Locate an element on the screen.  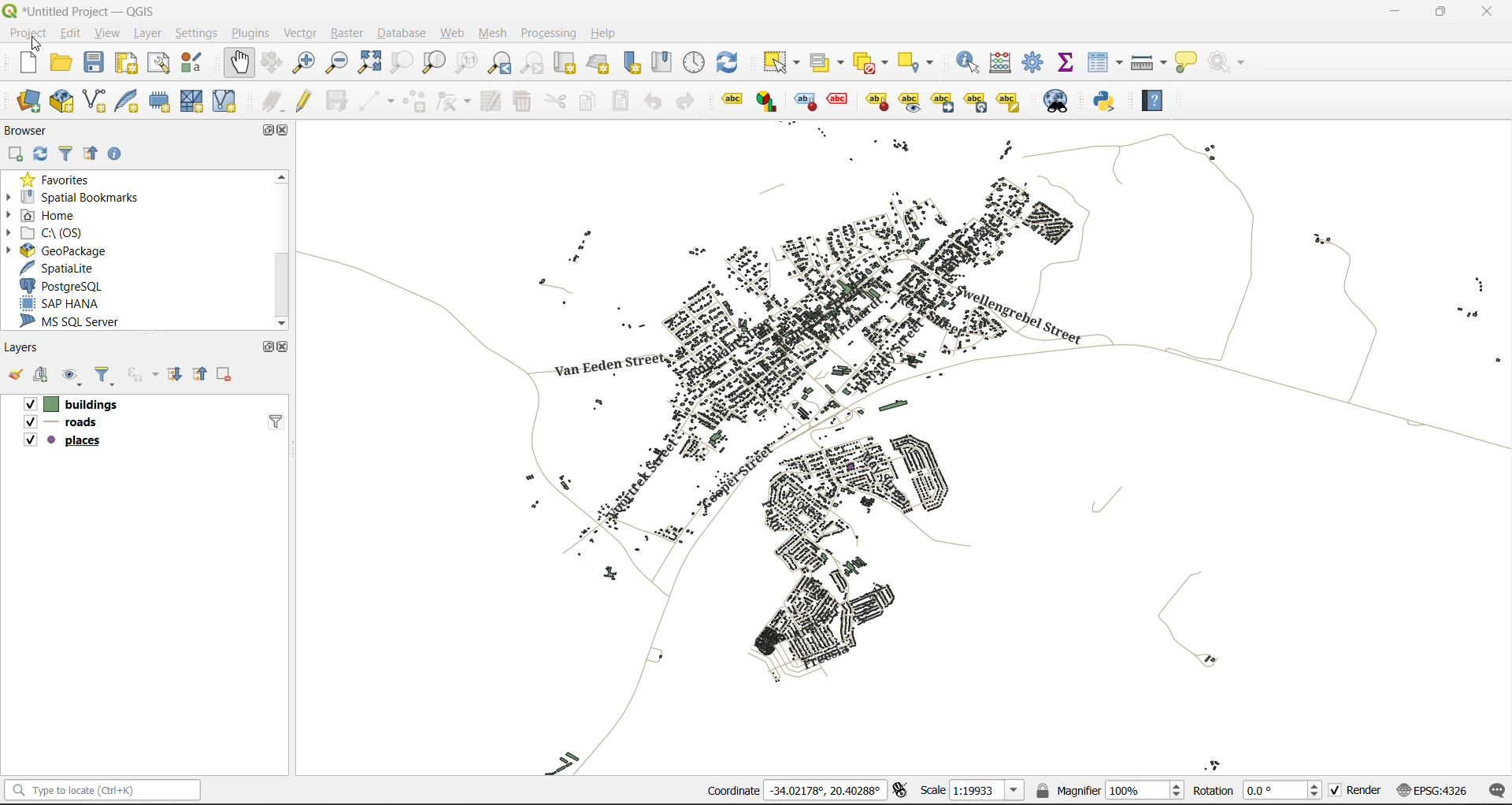
save is located at coordinates (94, 63).